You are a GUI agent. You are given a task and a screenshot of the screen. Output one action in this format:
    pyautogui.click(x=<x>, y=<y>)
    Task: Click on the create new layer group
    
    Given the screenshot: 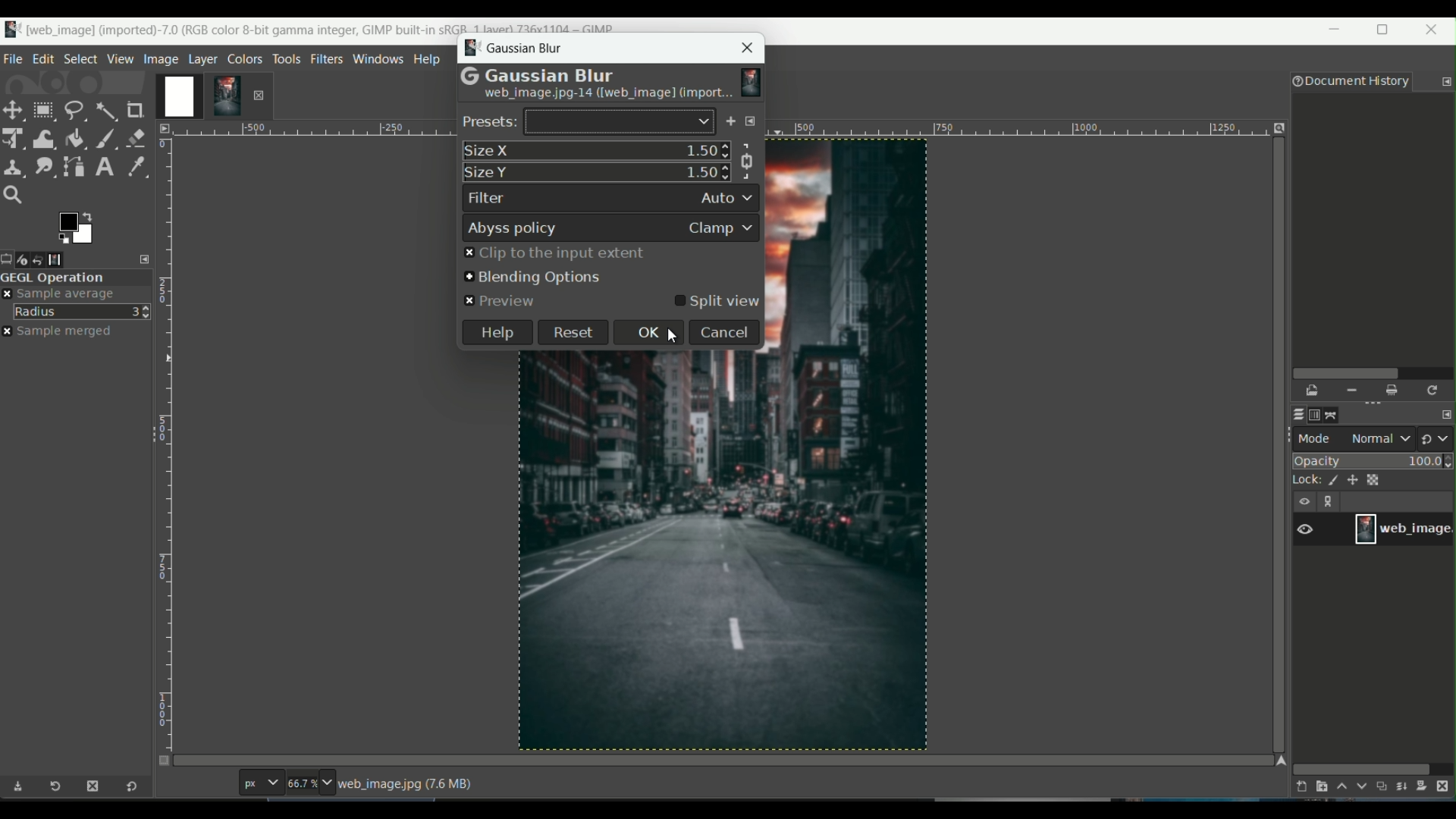 What is the action you would take?
    pyautogui.click(x=1320, y=786)
    